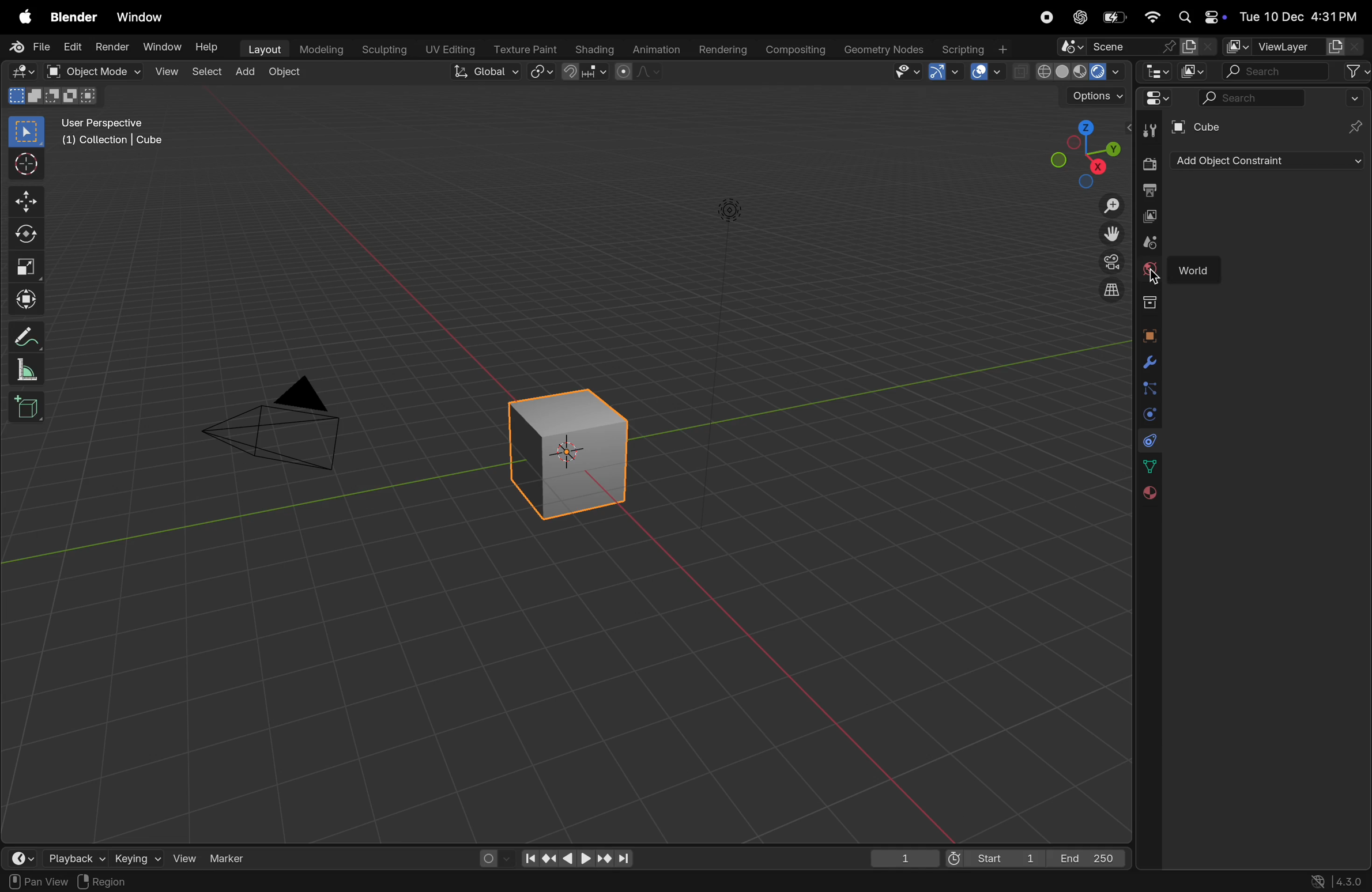 The height and width of the screenshot is (892, 1372). What do you see at coordinates (73, 47) in the screenshot?
I see `Edit` at bounding box center [73, 47].